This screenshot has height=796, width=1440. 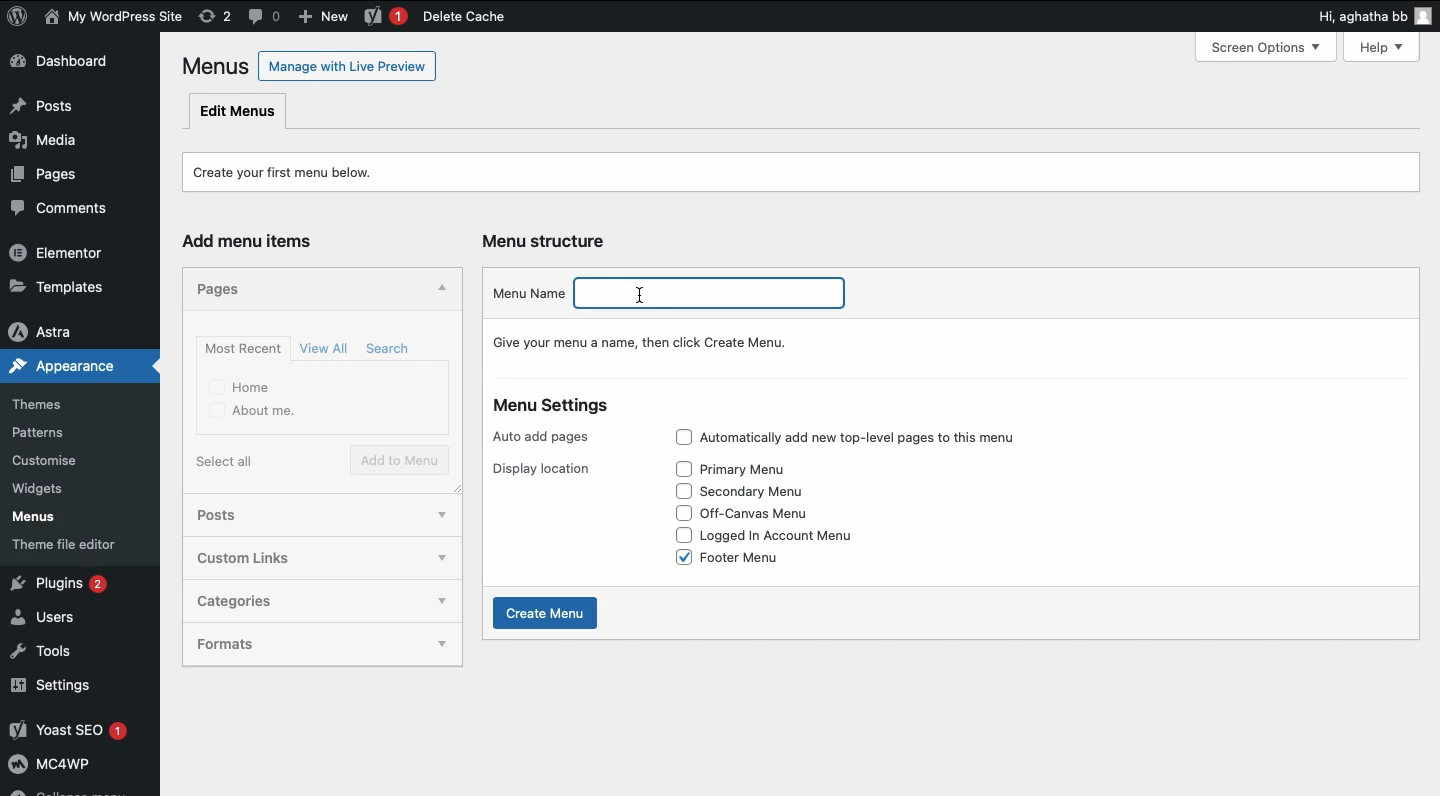 What do you see at coordinates (43, 462) in the screenshot?
I see `Customise` at bounding box center [43, 462].